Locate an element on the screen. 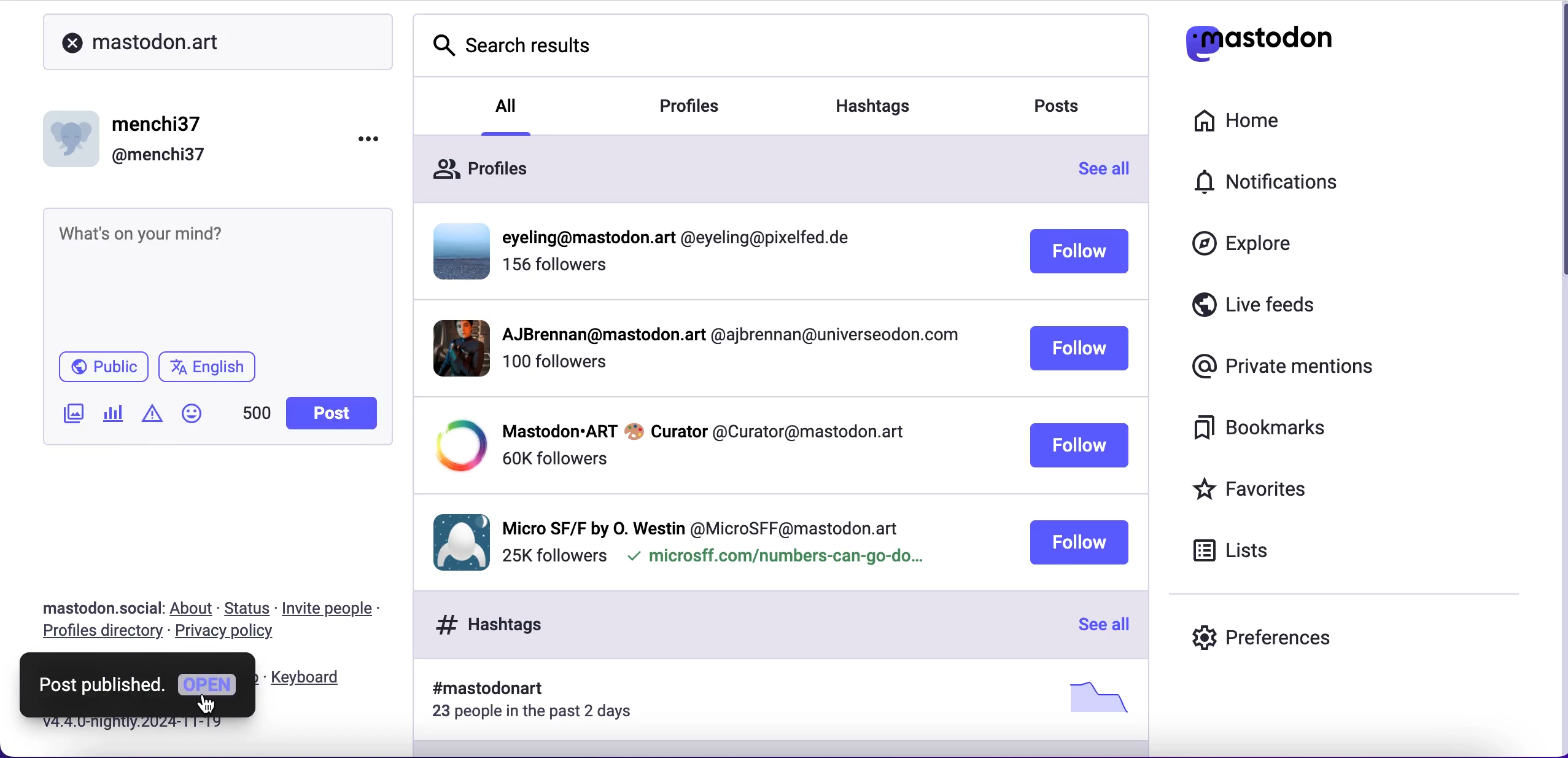 The image size is (1568, 758). 23 people in the past 2 days is located at coordinates (540, 714).